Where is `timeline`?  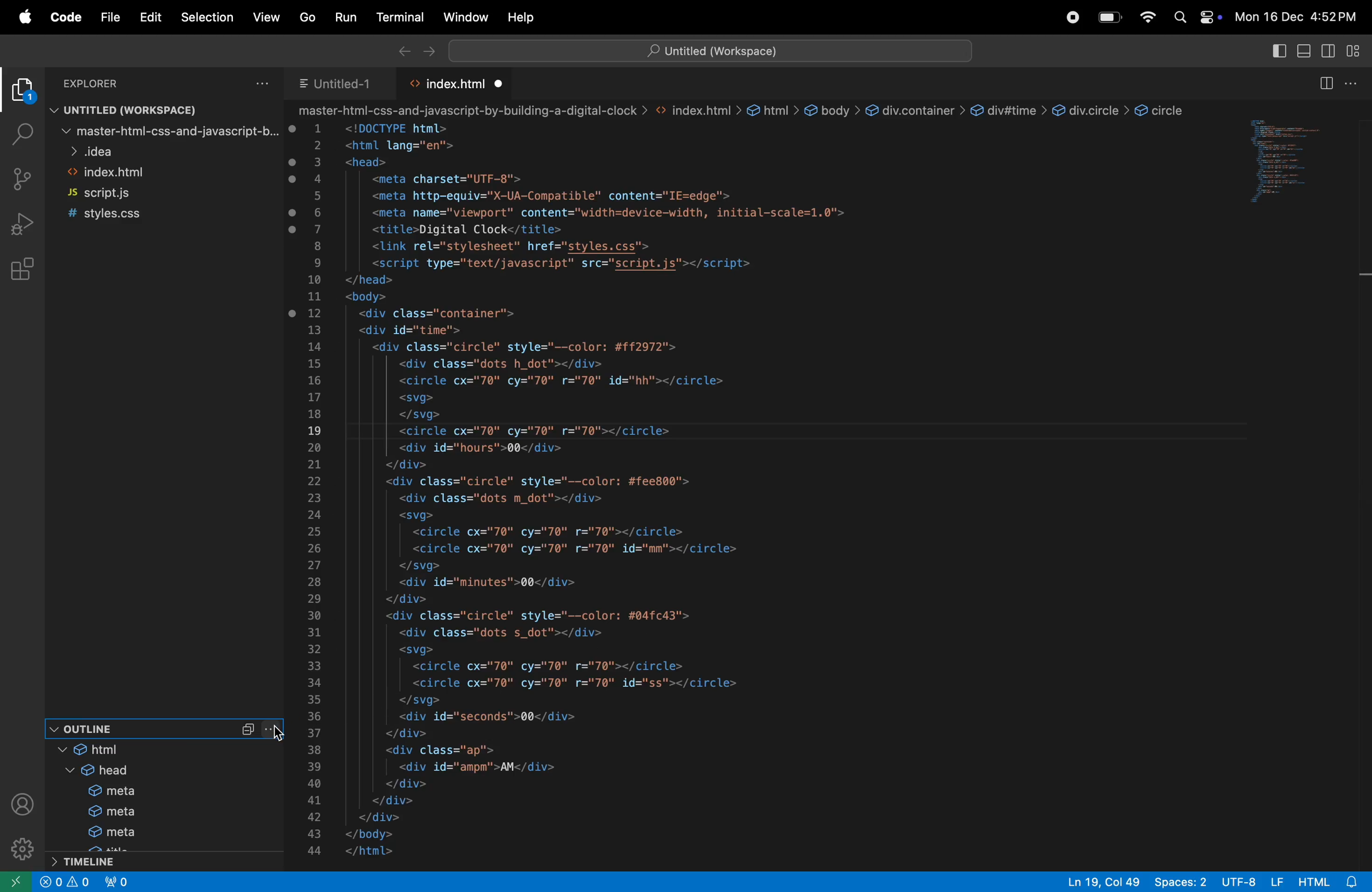 timeline is located at coordinates (101, 862).